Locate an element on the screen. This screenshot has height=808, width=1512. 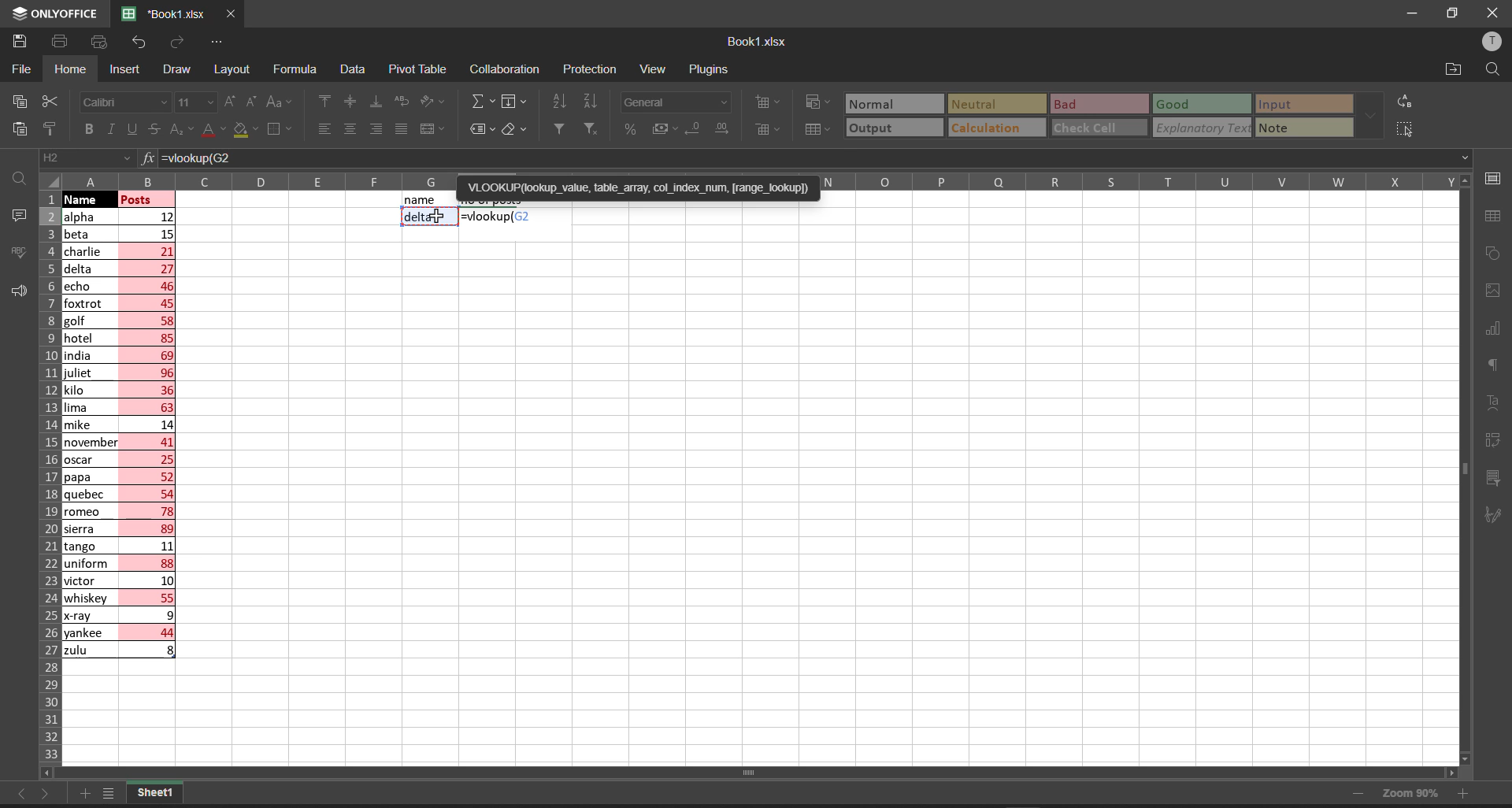
named ranges is located at coordinates (481, 130).